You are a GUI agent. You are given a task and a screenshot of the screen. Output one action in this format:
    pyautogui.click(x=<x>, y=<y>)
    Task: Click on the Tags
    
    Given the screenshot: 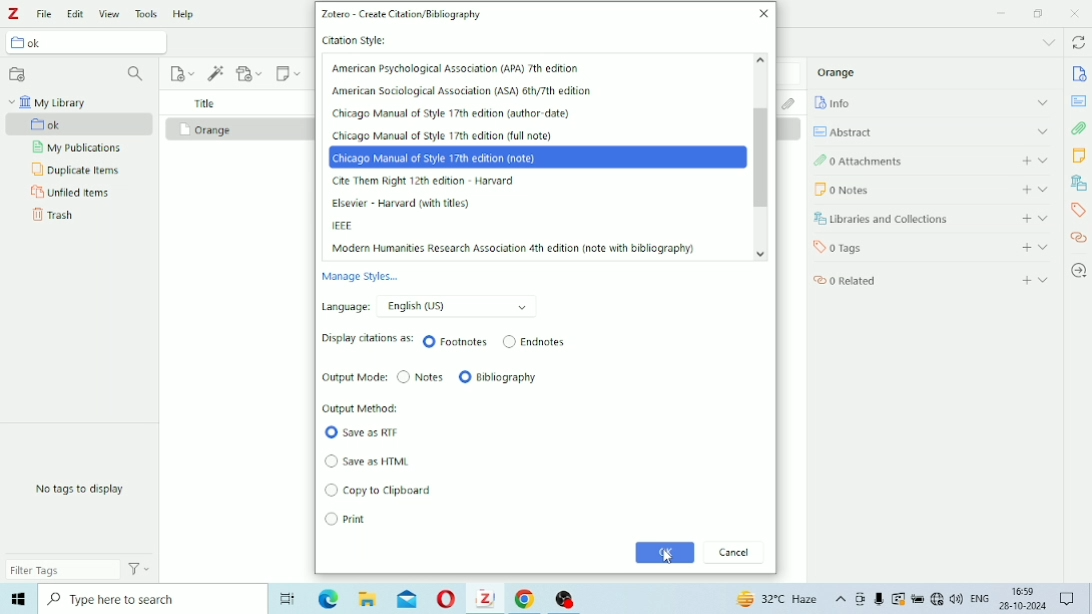 What is the action you would take?
    pyautogui.click(x=1079, y=211)
    